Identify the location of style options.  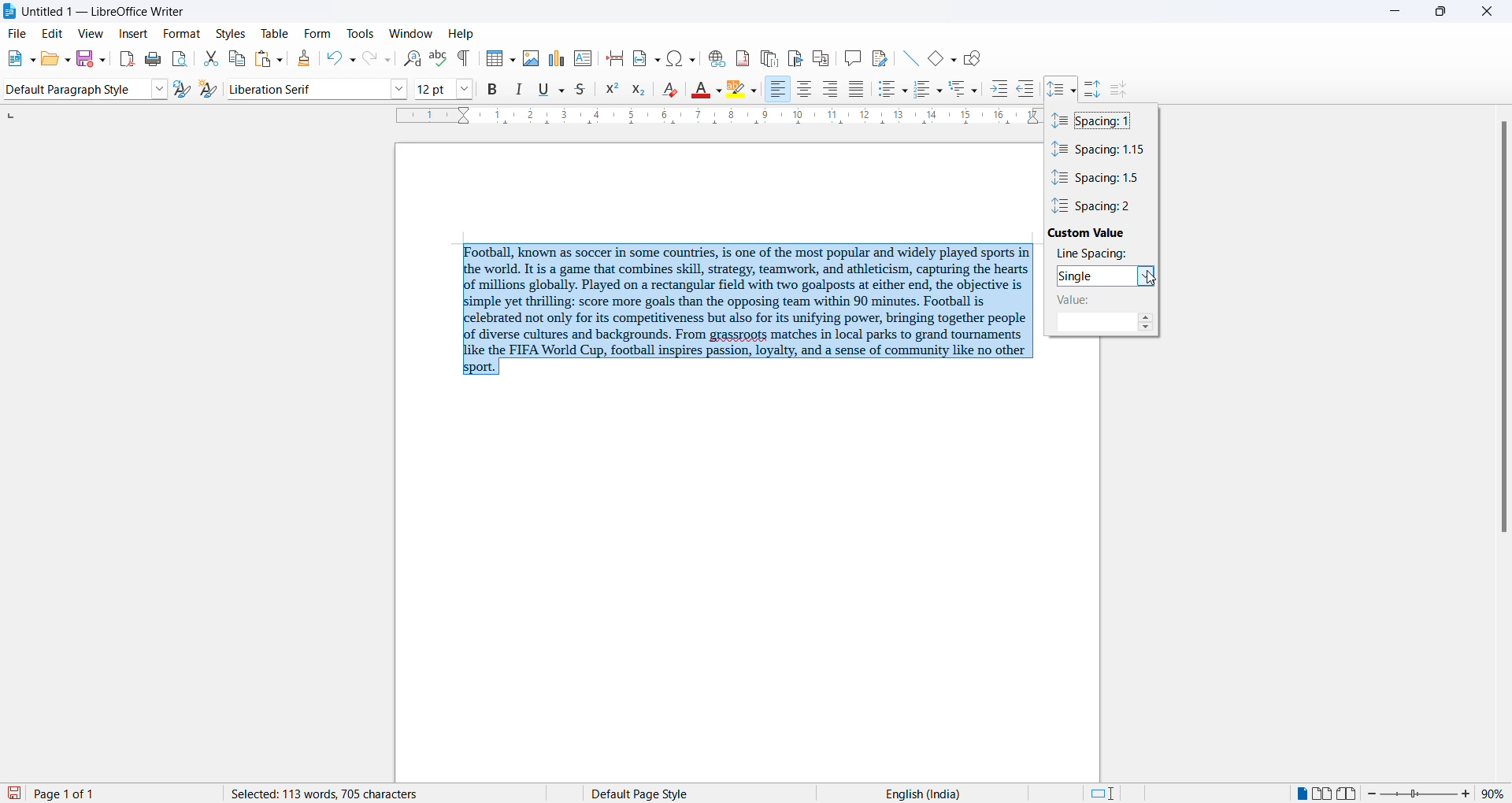
(161, 88).